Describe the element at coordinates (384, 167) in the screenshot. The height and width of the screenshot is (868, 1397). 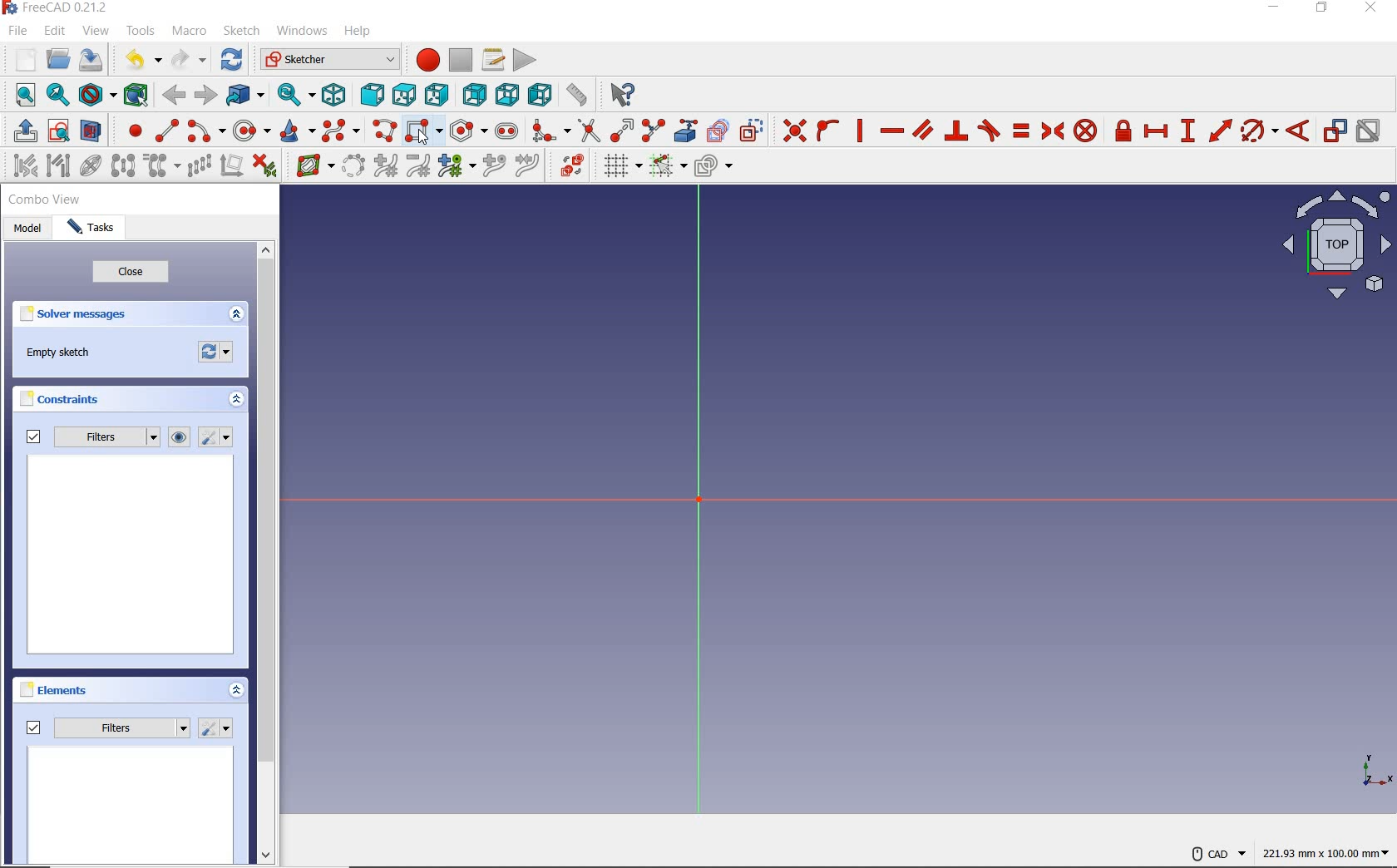
I see `increase b-spline degree` at that location.